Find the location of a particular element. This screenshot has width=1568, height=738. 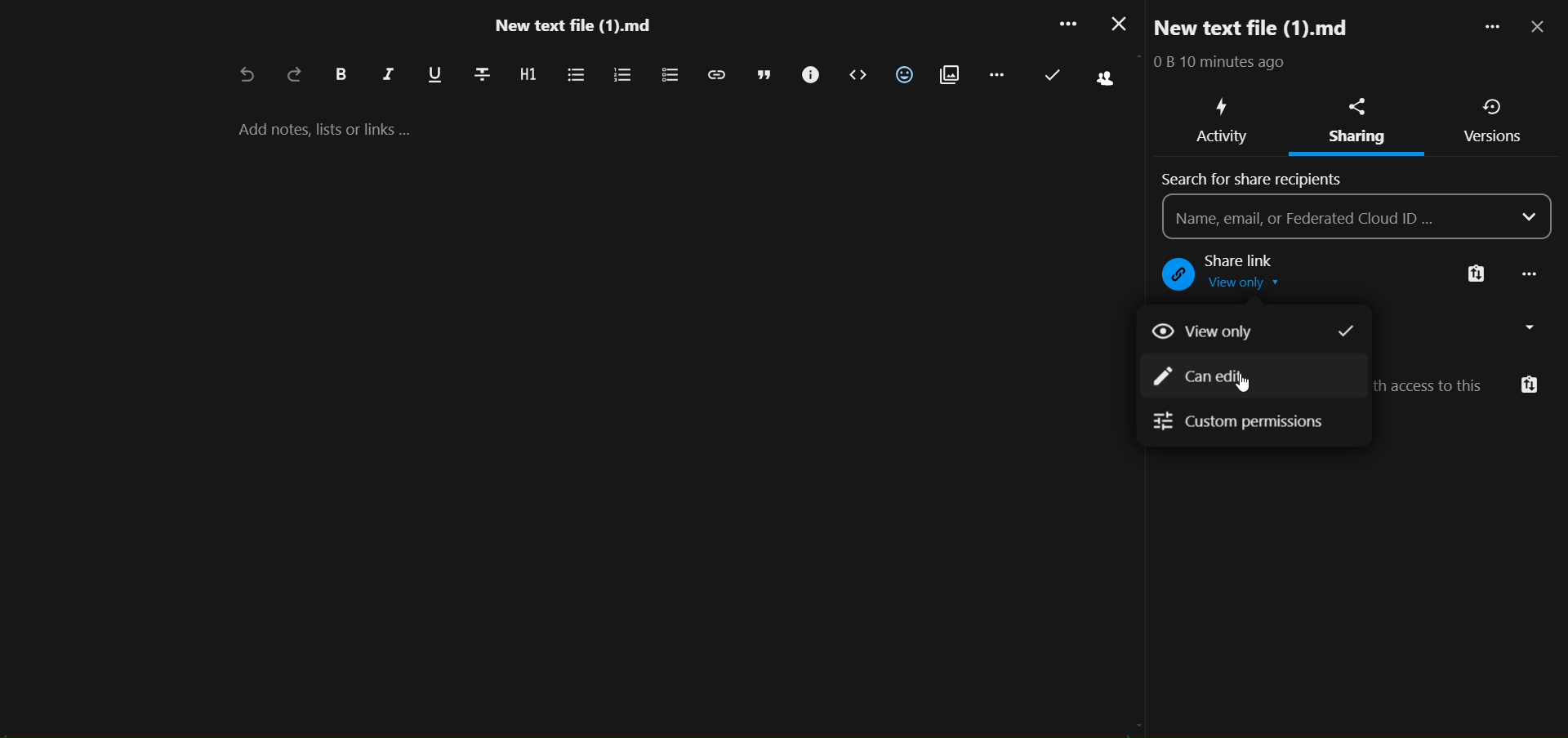

last saved is located at coordinates (1053, 75).